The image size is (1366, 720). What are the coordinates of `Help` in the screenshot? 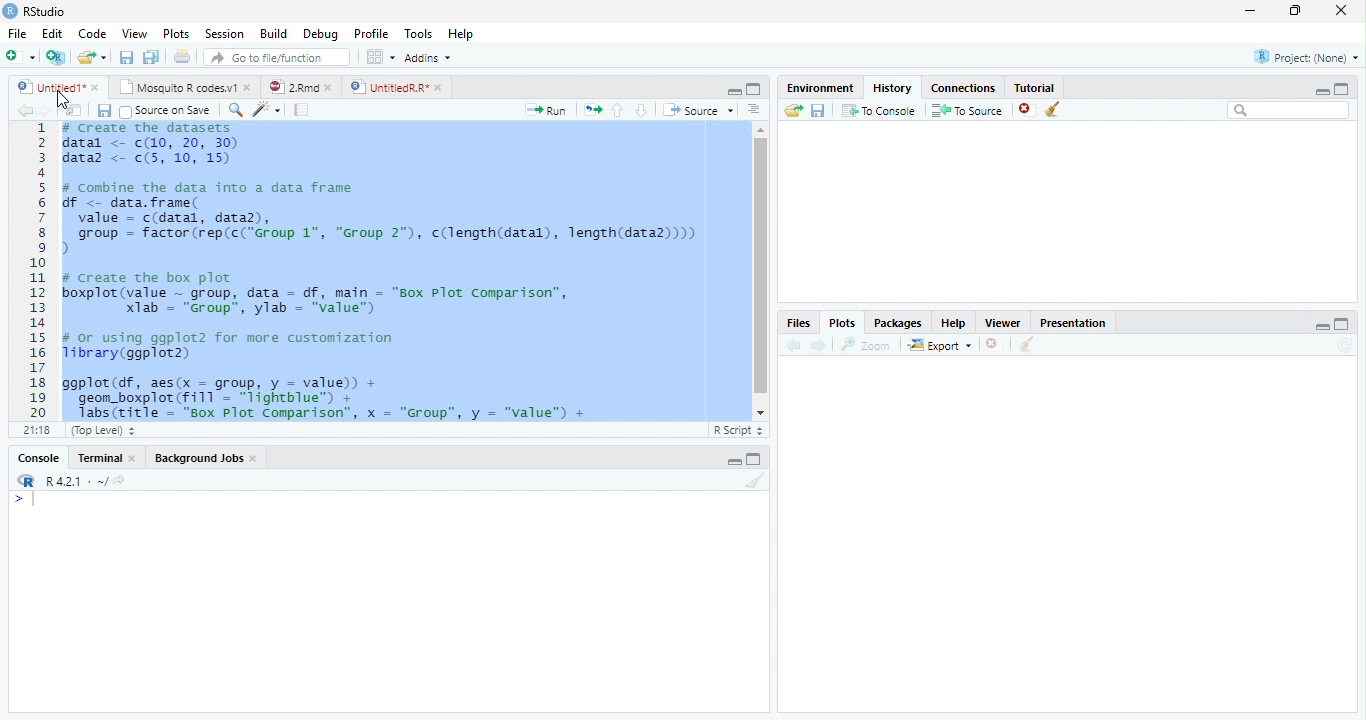 It's located at (461, 33).